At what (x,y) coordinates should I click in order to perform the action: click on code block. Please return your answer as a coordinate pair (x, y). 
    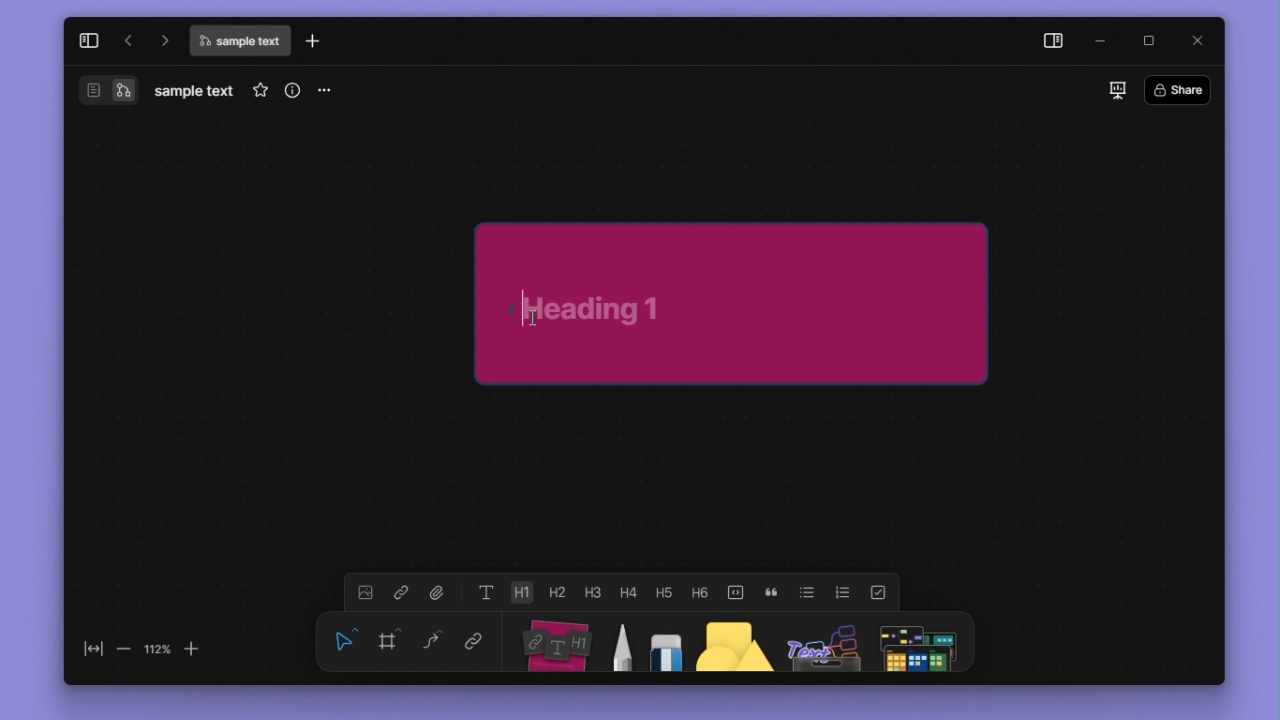
    Looking at the image, I should click on (735, 593).